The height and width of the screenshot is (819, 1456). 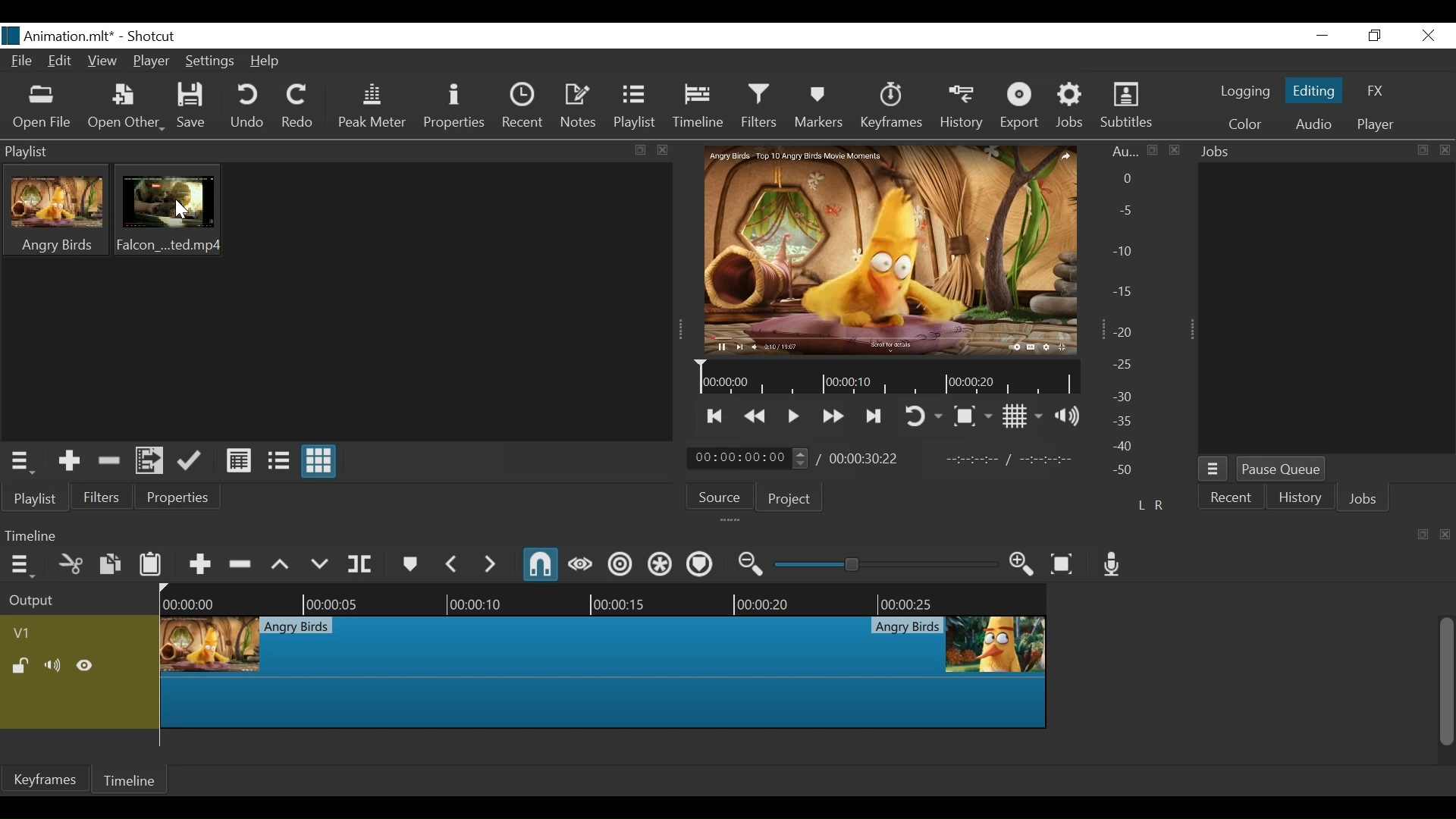 I want to click on L R, so click(x=1150, y=504).